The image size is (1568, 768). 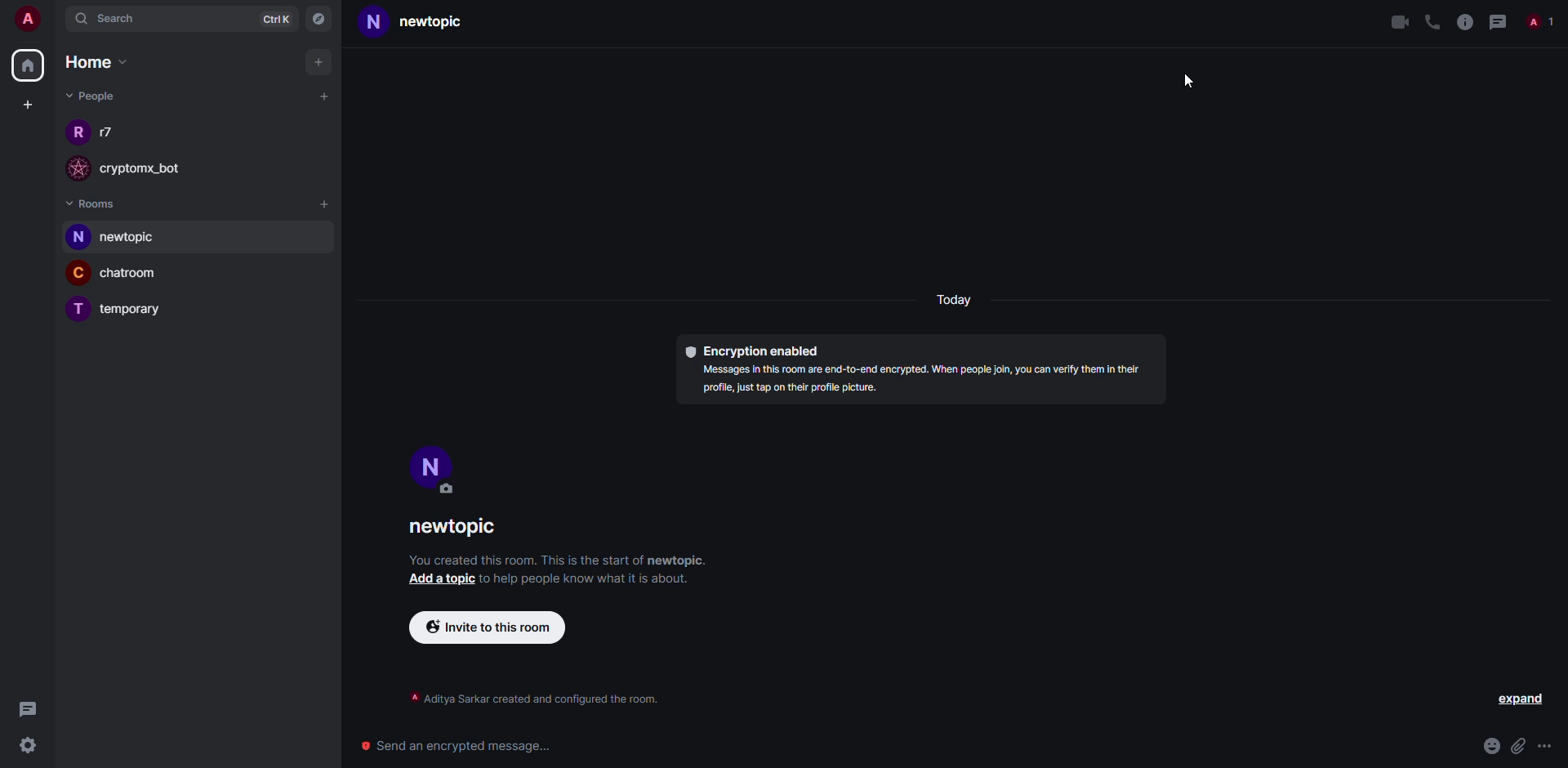 What do you see at coordinates (1499, 21) in the screenshot?
I see `threads` at bounding box center [1499, 21].